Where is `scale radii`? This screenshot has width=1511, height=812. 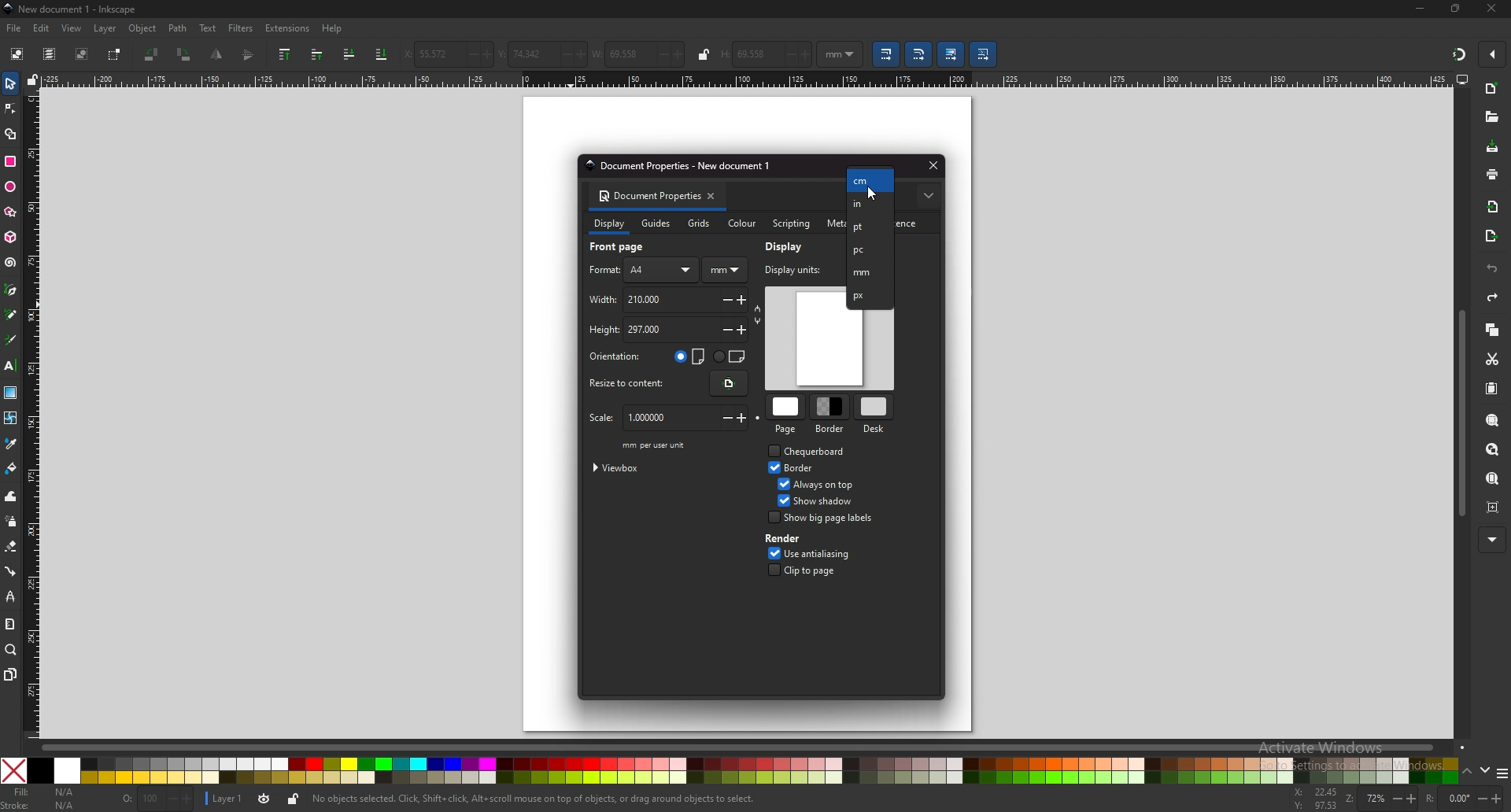
scale radii is located at coordinates (918, 54).